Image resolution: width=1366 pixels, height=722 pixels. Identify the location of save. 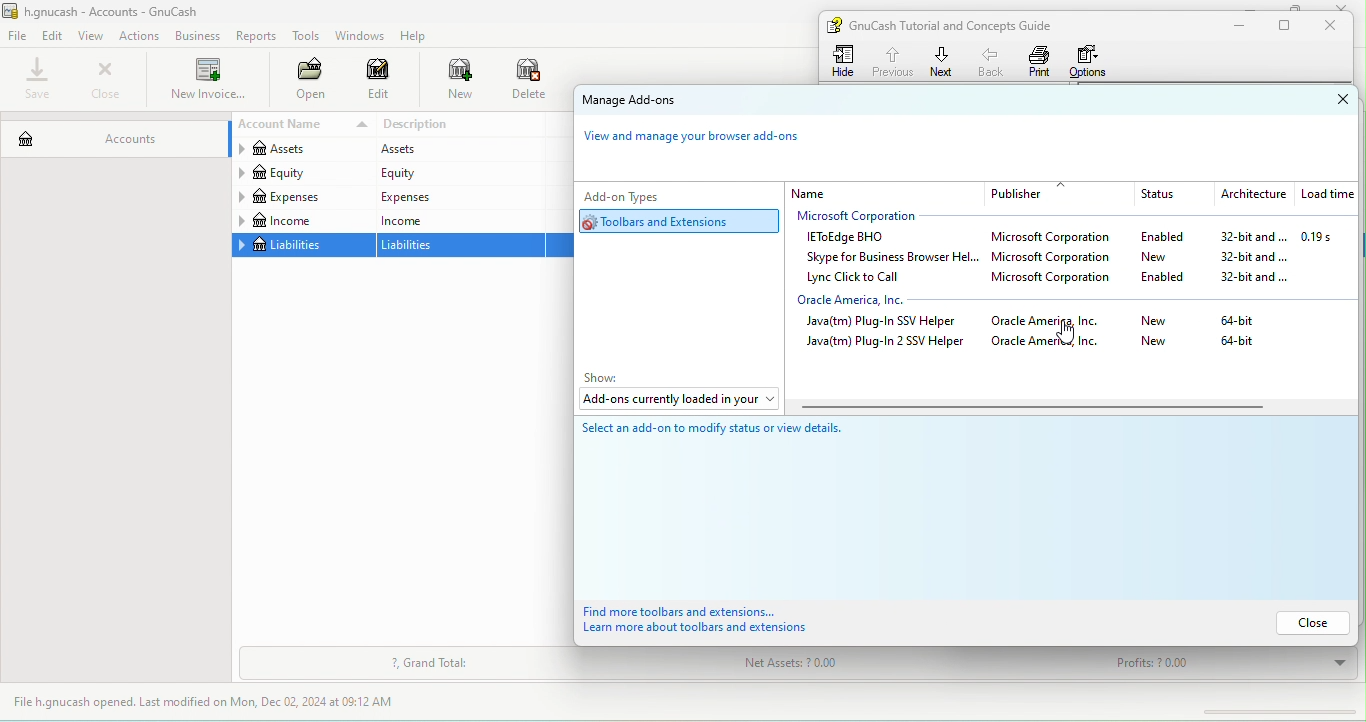
(39, 80).